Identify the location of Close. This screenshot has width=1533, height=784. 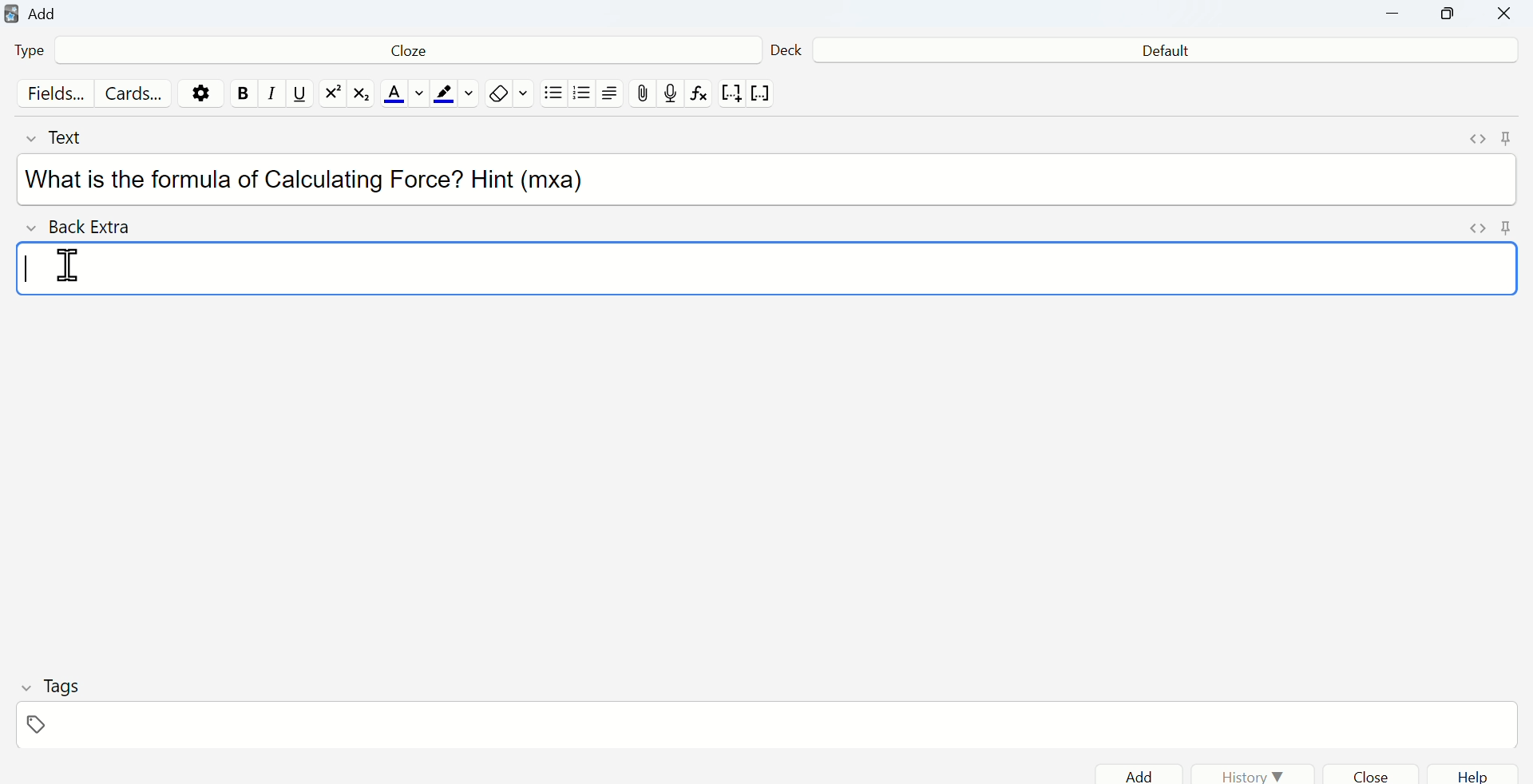
(1380, 774).